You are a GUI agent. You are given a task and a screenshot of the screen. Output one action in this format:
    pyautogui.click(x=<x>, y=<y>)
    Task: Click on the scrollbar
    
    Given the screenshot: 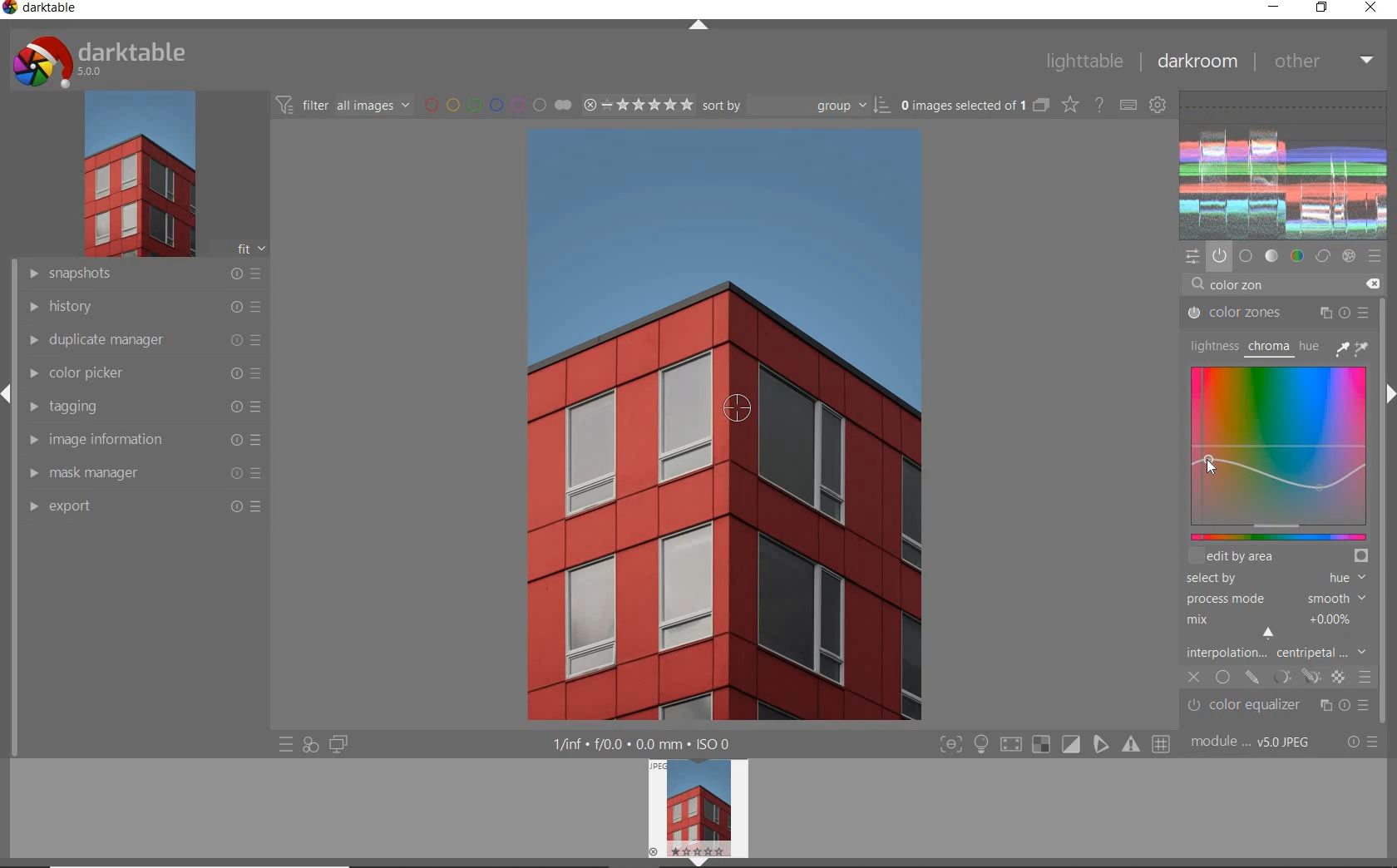 What is the action you would take?
    pyautogui.click(x=1384, y=546)
    